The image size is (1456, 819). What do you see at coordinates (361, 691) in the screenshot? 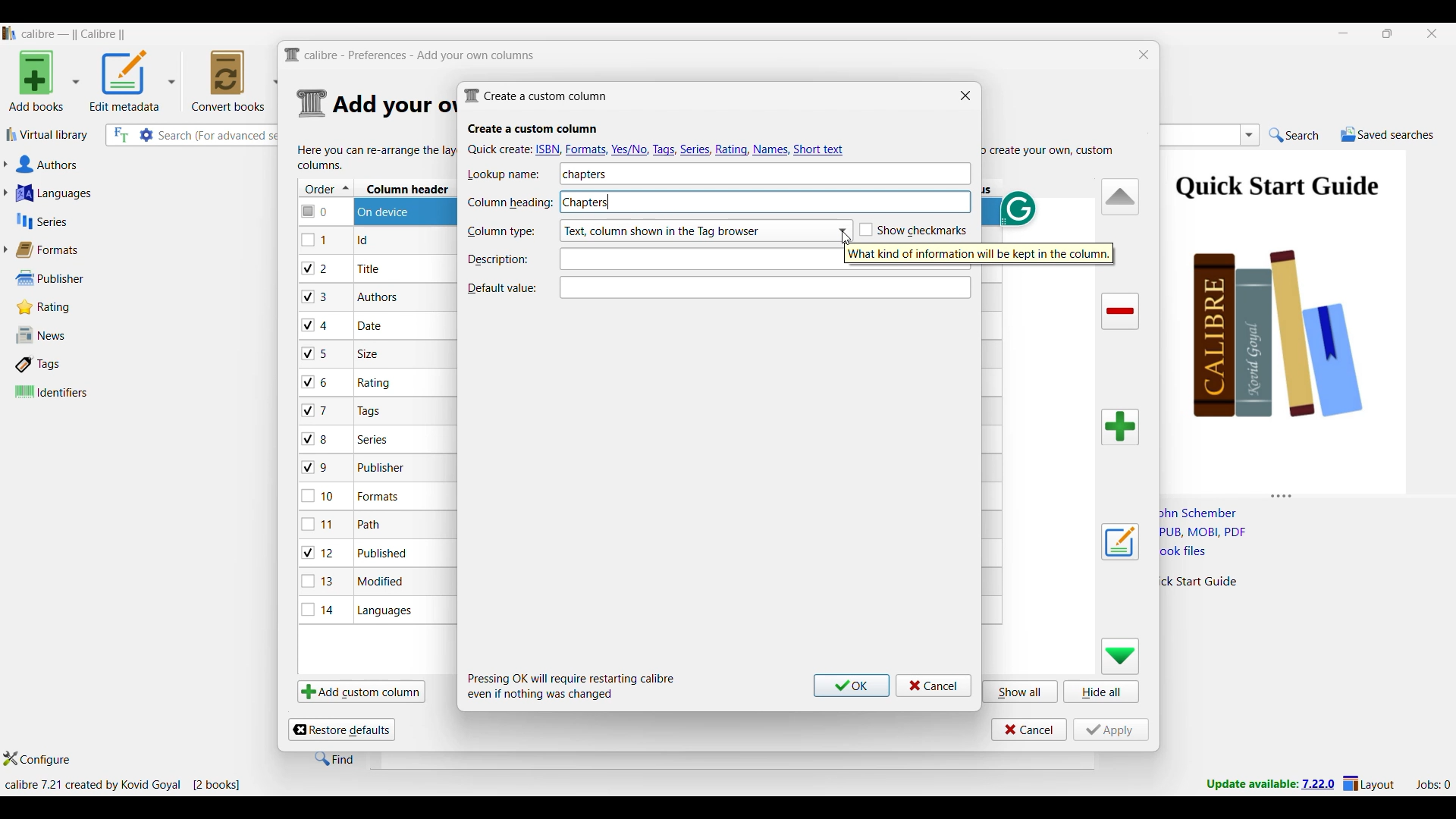
I see `Add custom column` at bounding box center [361, 691].